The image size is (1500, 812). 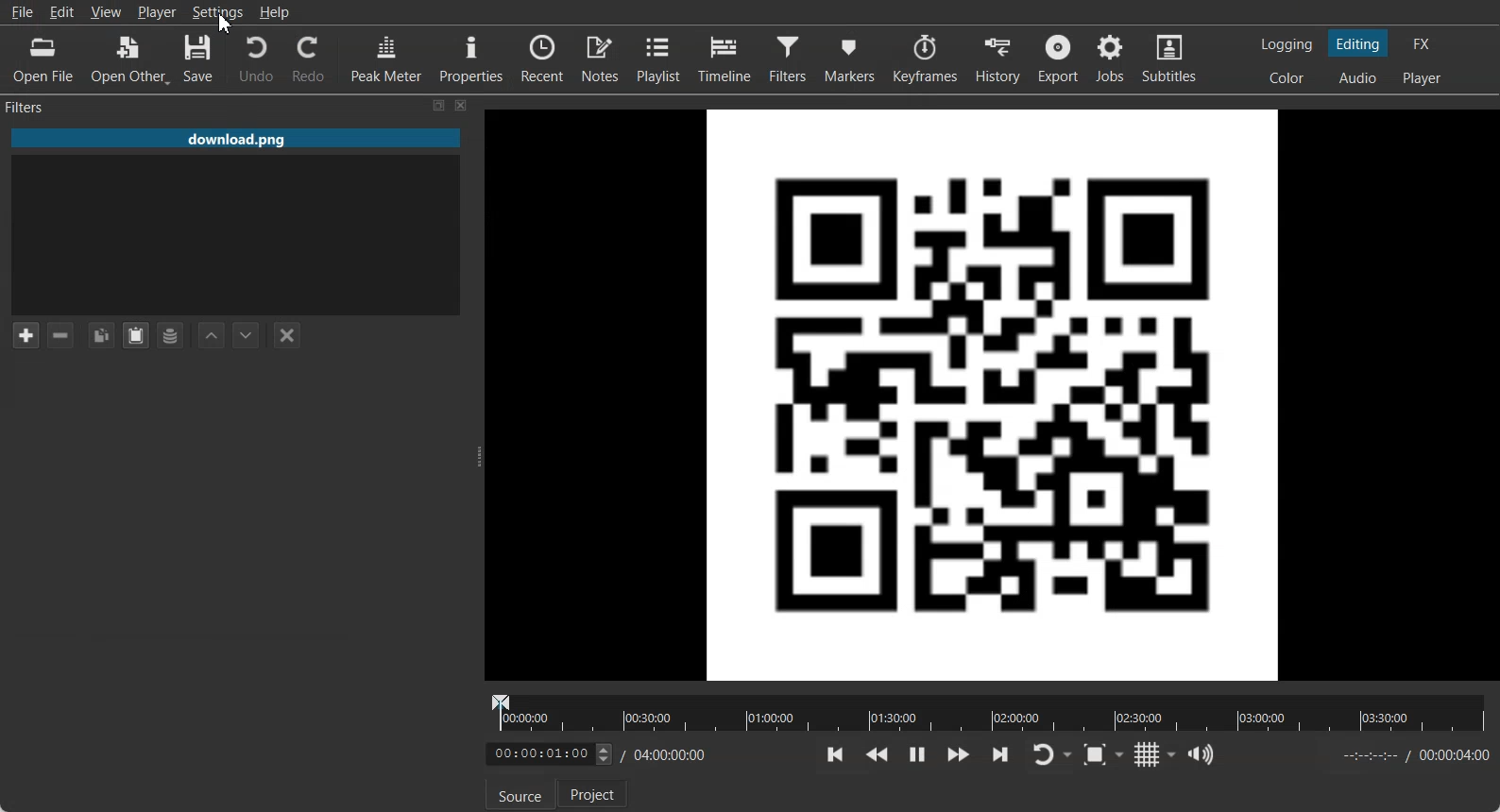 What do you see at coordinates (601, 58) in the screenshot?
I see `Notes` at bounding box center [601, 58].